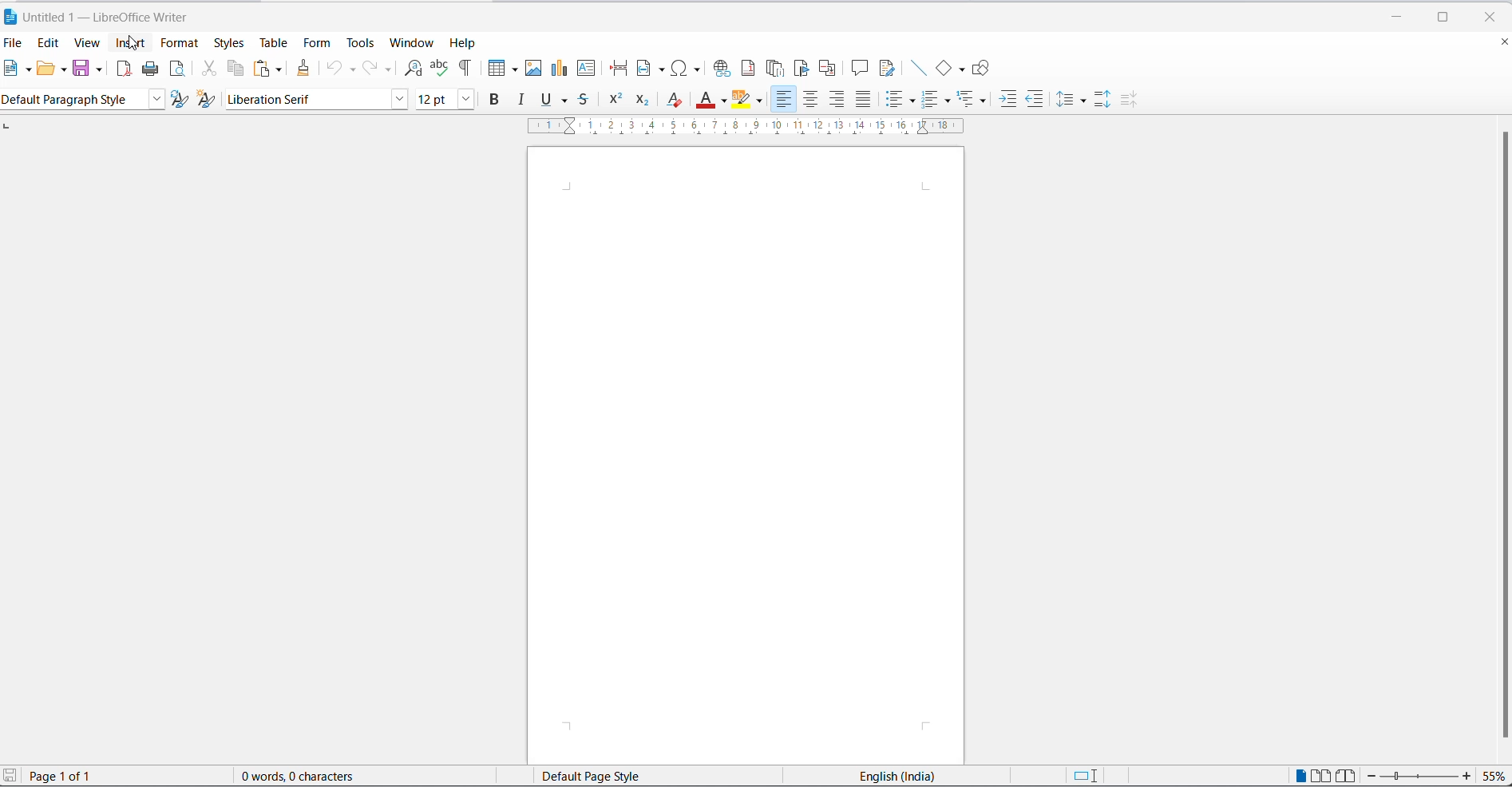 This screenshot has height=787, width=1512. Describe the element at coordinates (1502, 41) in the screenshot. I see `close document` at that location.